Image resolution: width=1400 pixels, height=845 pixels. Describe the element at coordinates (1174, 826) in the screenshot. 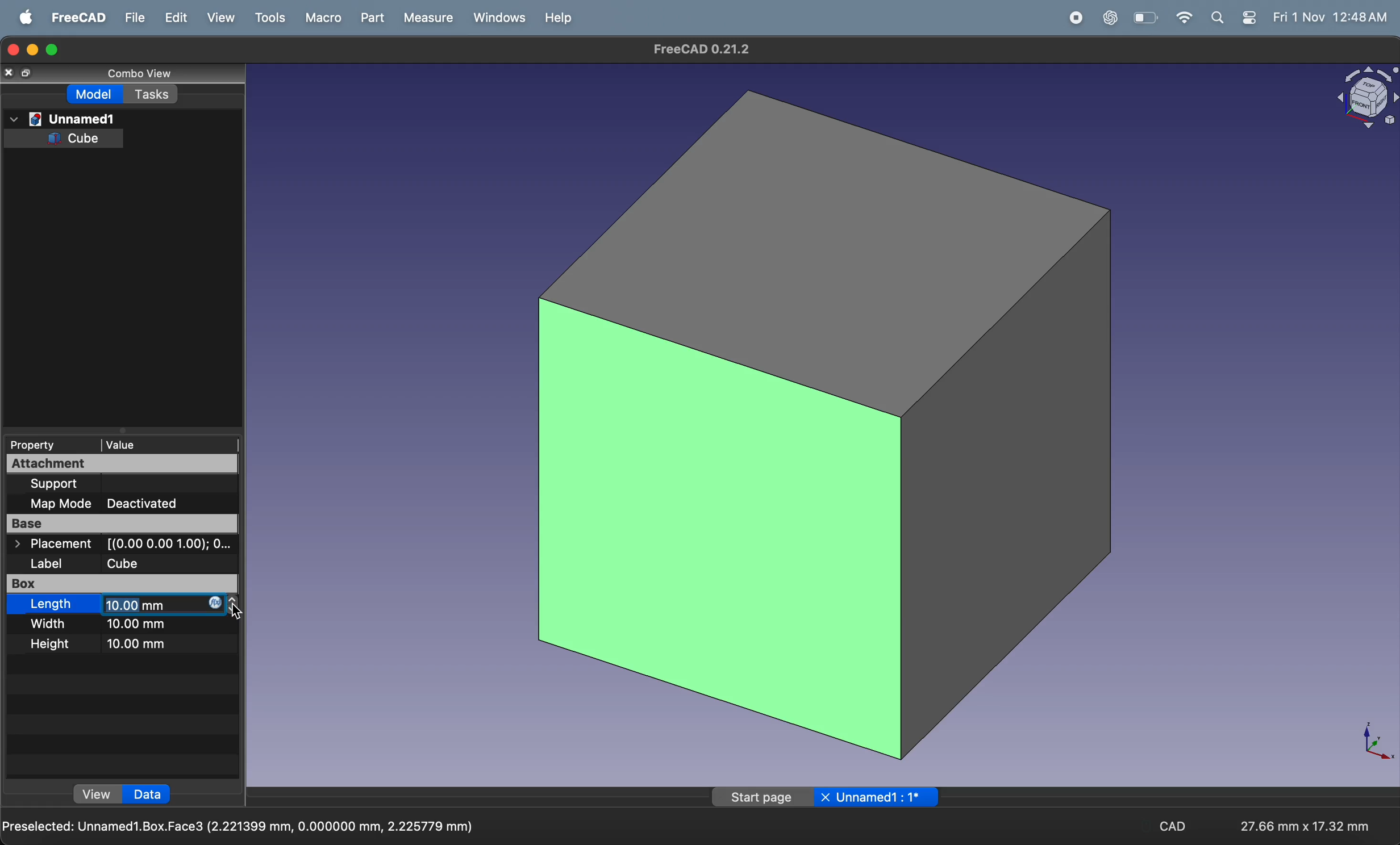

I see `CAD` at that location.